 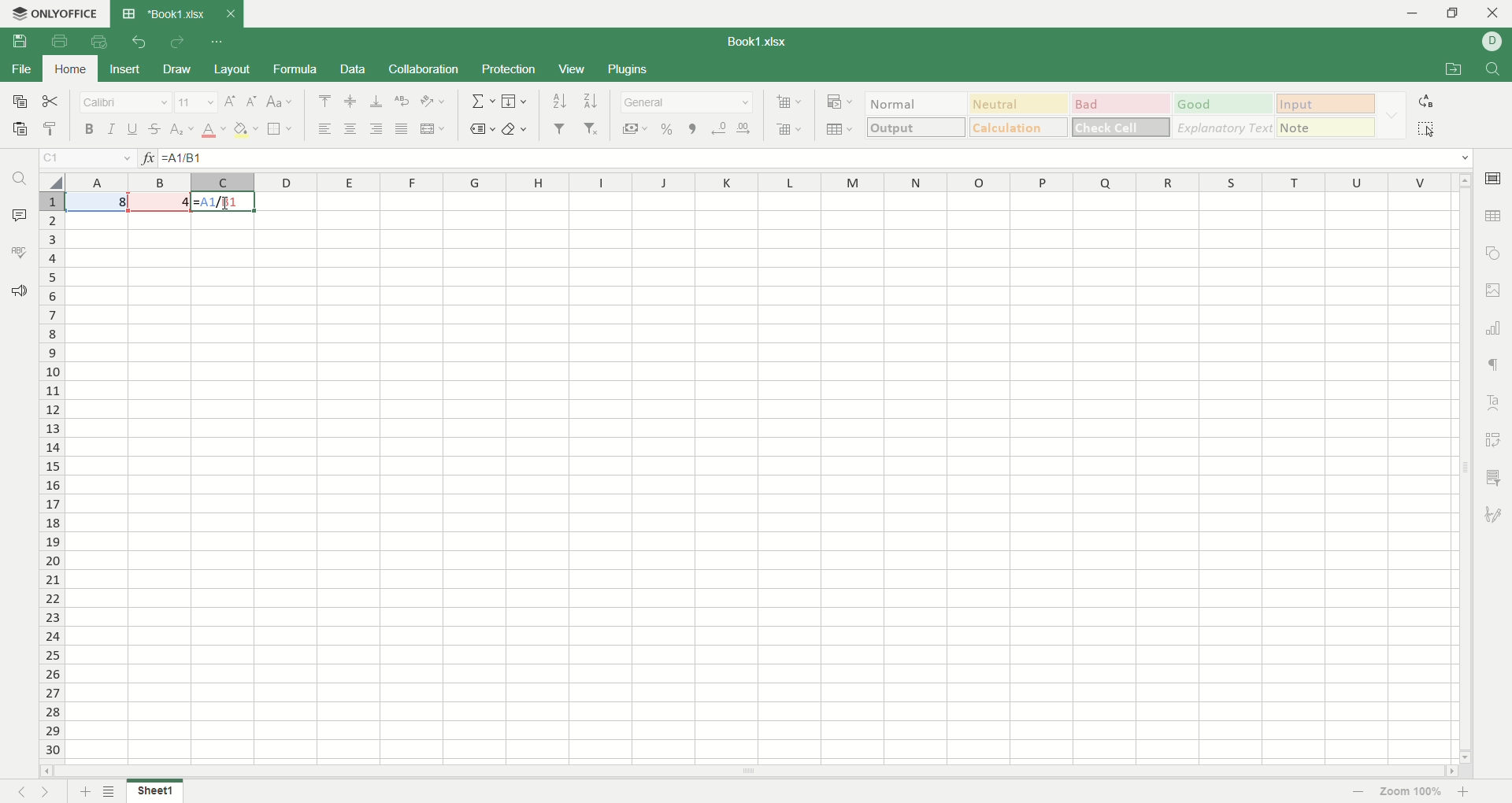 I want to click on zoom in, so click(x=1466, y=792).